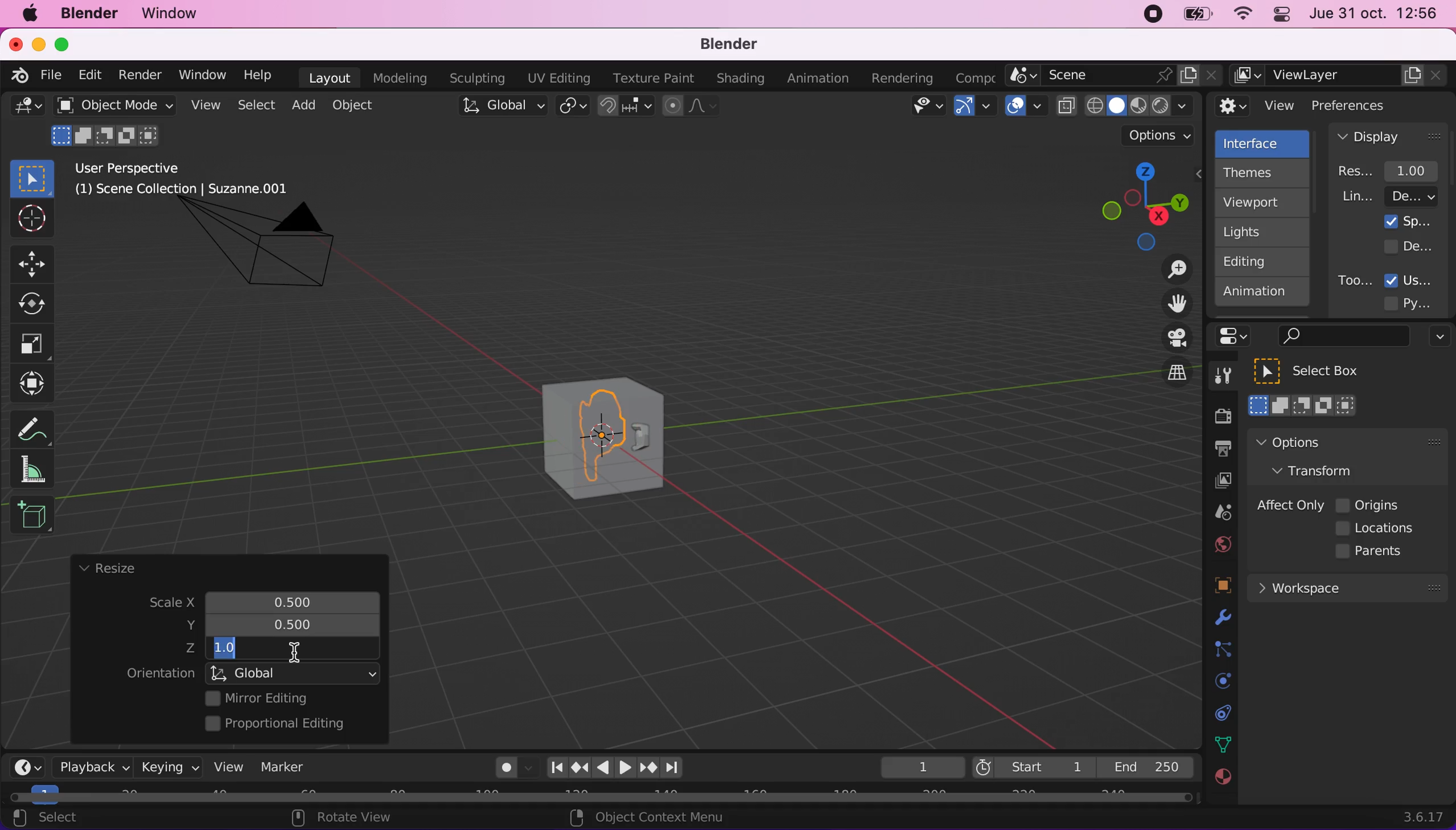 This screenshot has height=830, width=1456. Describe the element at coordinates (283, 767) in the screenshot. I see `marker` at that location.